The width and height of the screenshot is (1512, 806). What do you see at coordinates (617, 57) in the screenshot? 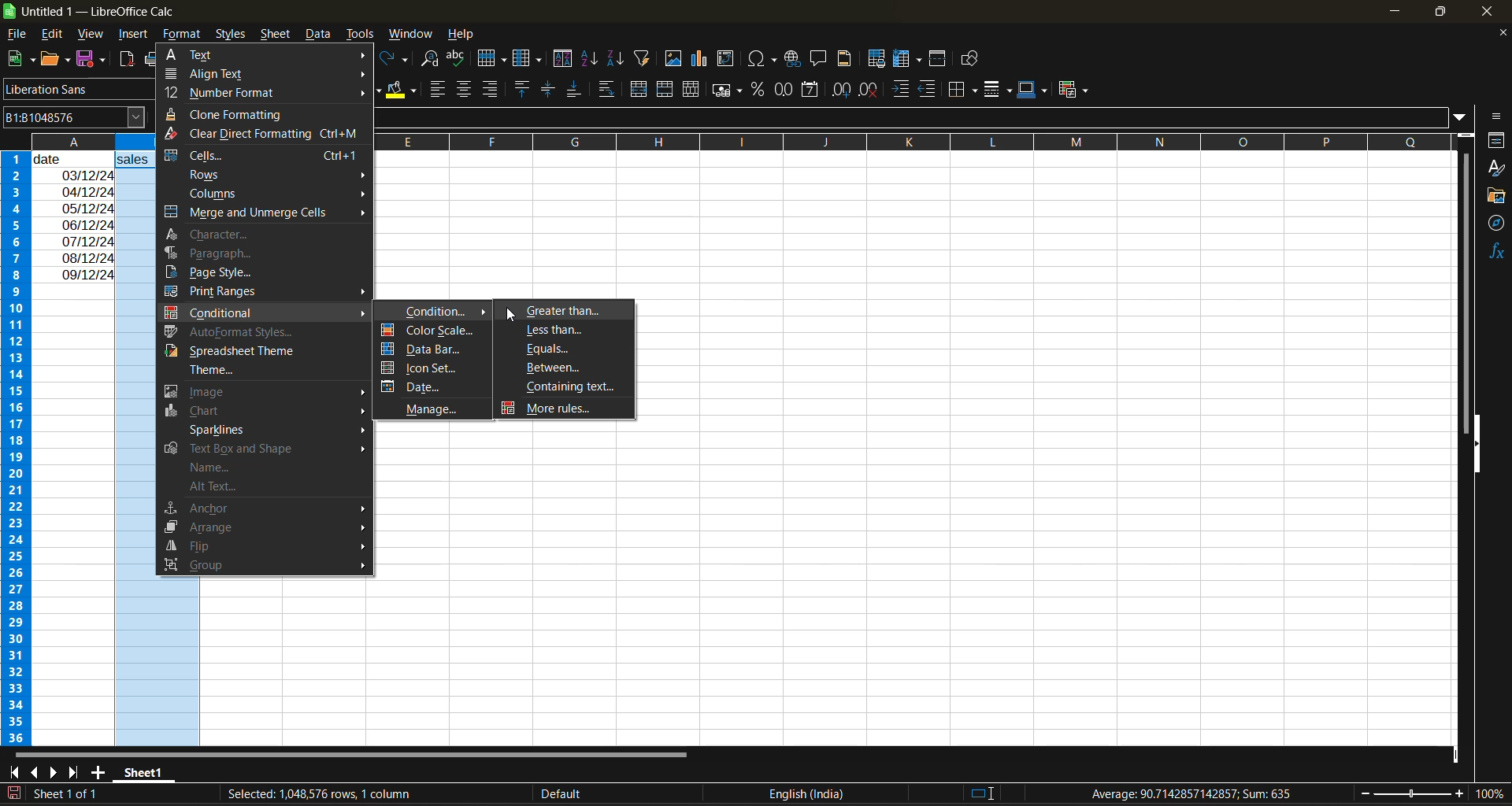
I see `sort descending` at bounding box center [617, 57].